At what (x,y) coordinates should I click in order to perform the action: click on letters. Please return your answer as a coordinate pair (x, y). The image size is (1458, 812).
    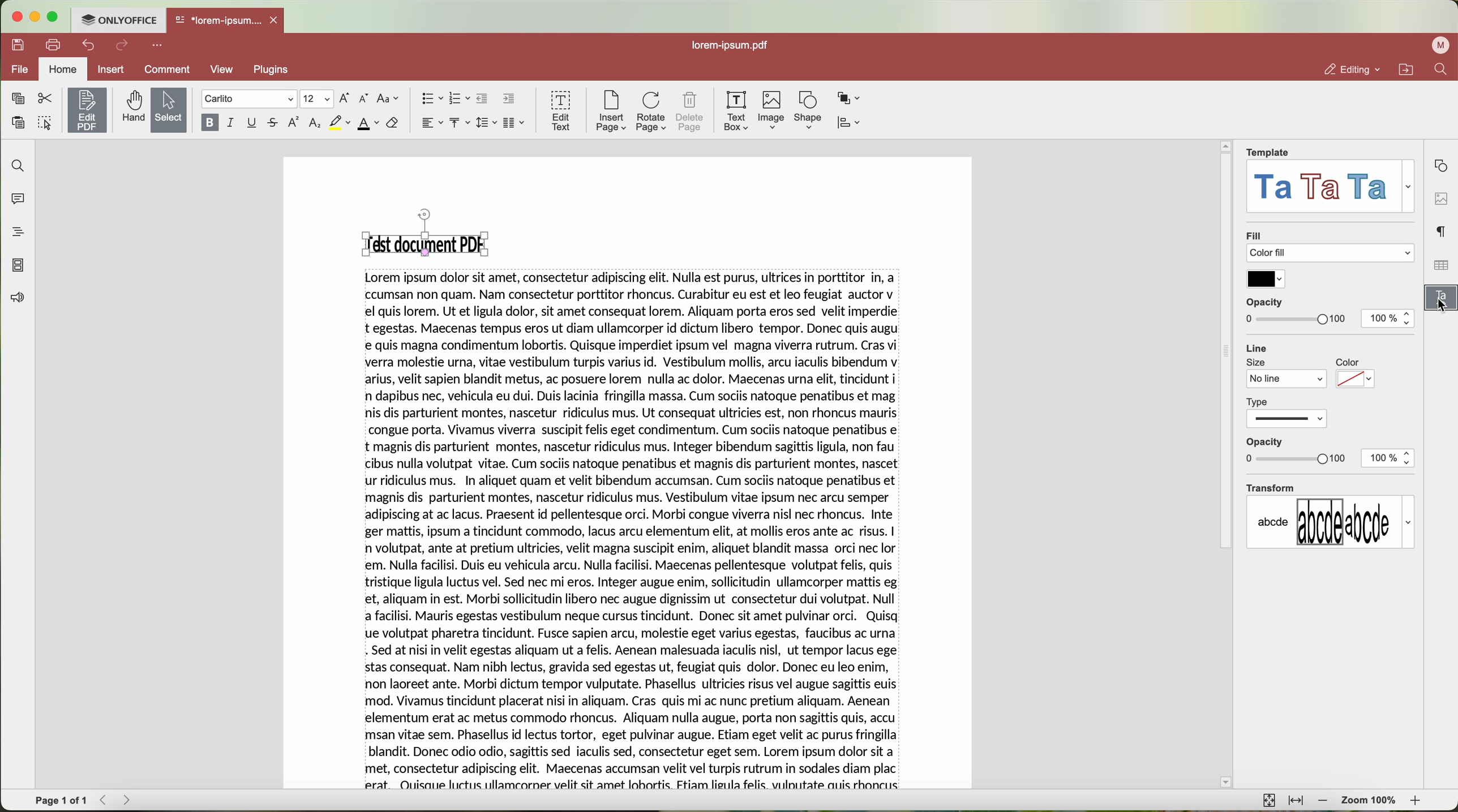
    Looking at the image, I should click on (1330, 522).